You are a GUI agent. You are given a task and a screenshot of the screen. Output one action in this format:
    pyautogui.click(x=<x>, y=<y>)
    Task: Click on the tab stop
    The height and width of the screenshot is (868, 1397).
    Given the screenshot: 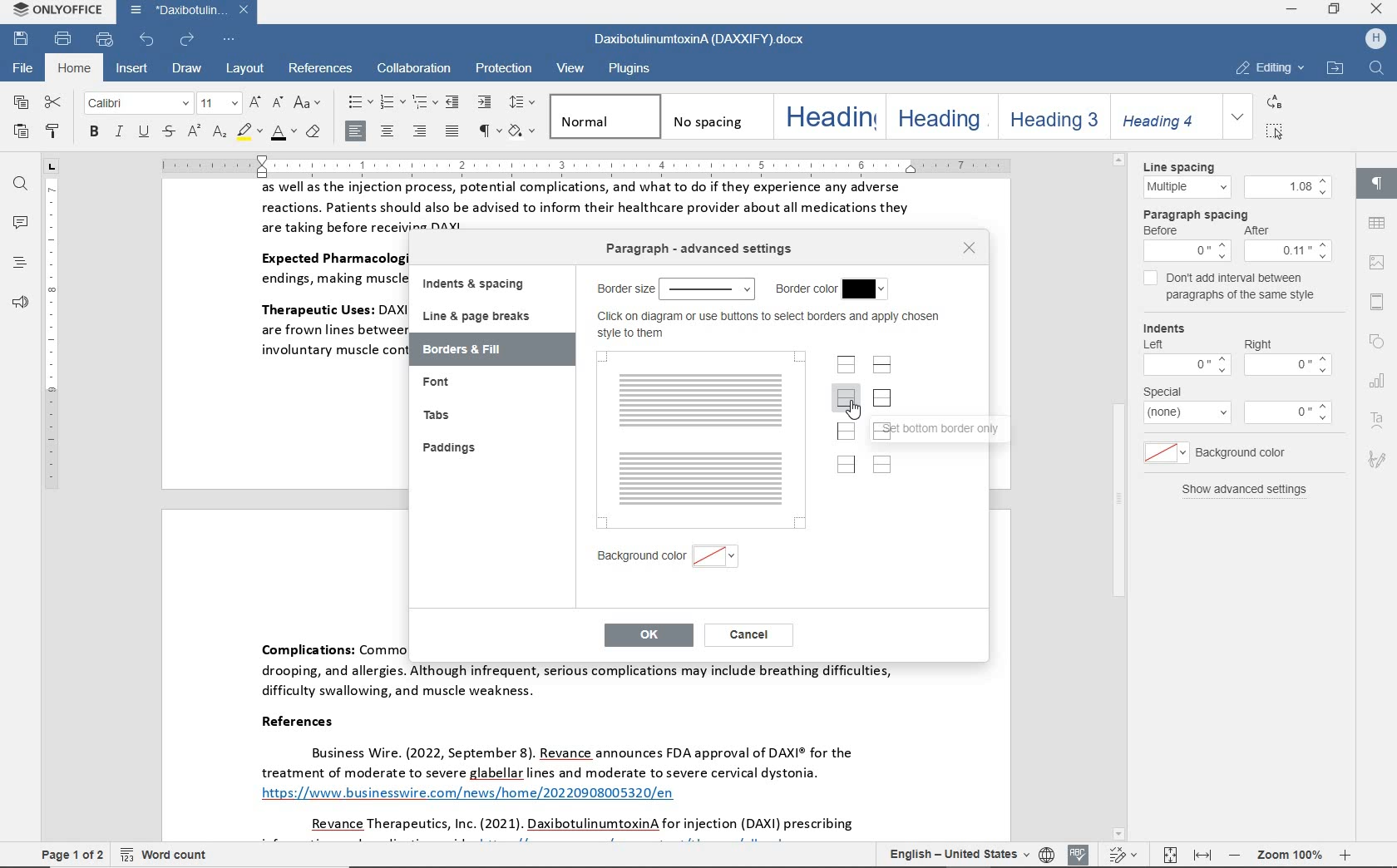 What is the action you would take?
    pyautogui.click(x=52, y=166)
    